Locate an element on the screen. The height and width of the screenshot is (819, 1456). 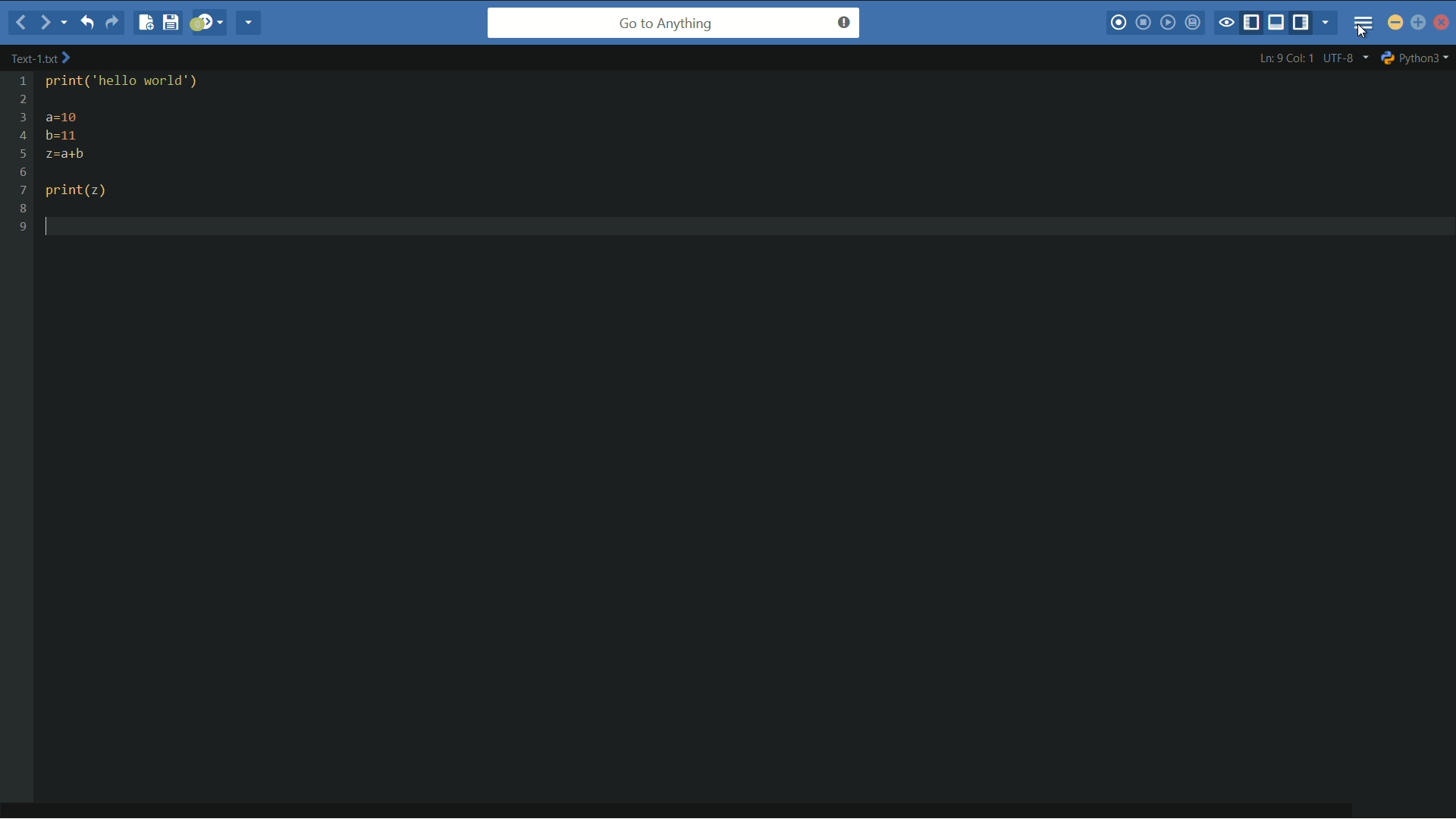
close app is located at coordinates (1442, 22).